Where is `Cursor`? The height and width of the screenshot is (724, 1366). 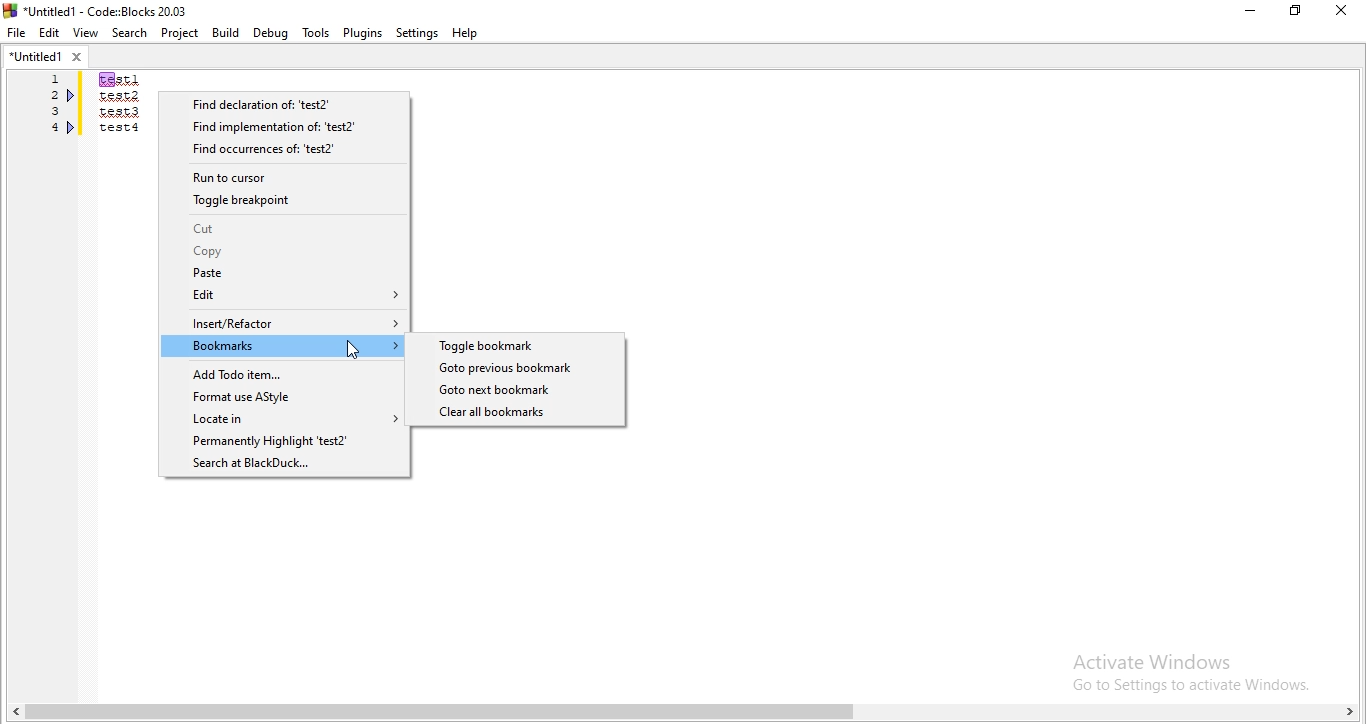
Cursor is located at coordinates (357, 350).